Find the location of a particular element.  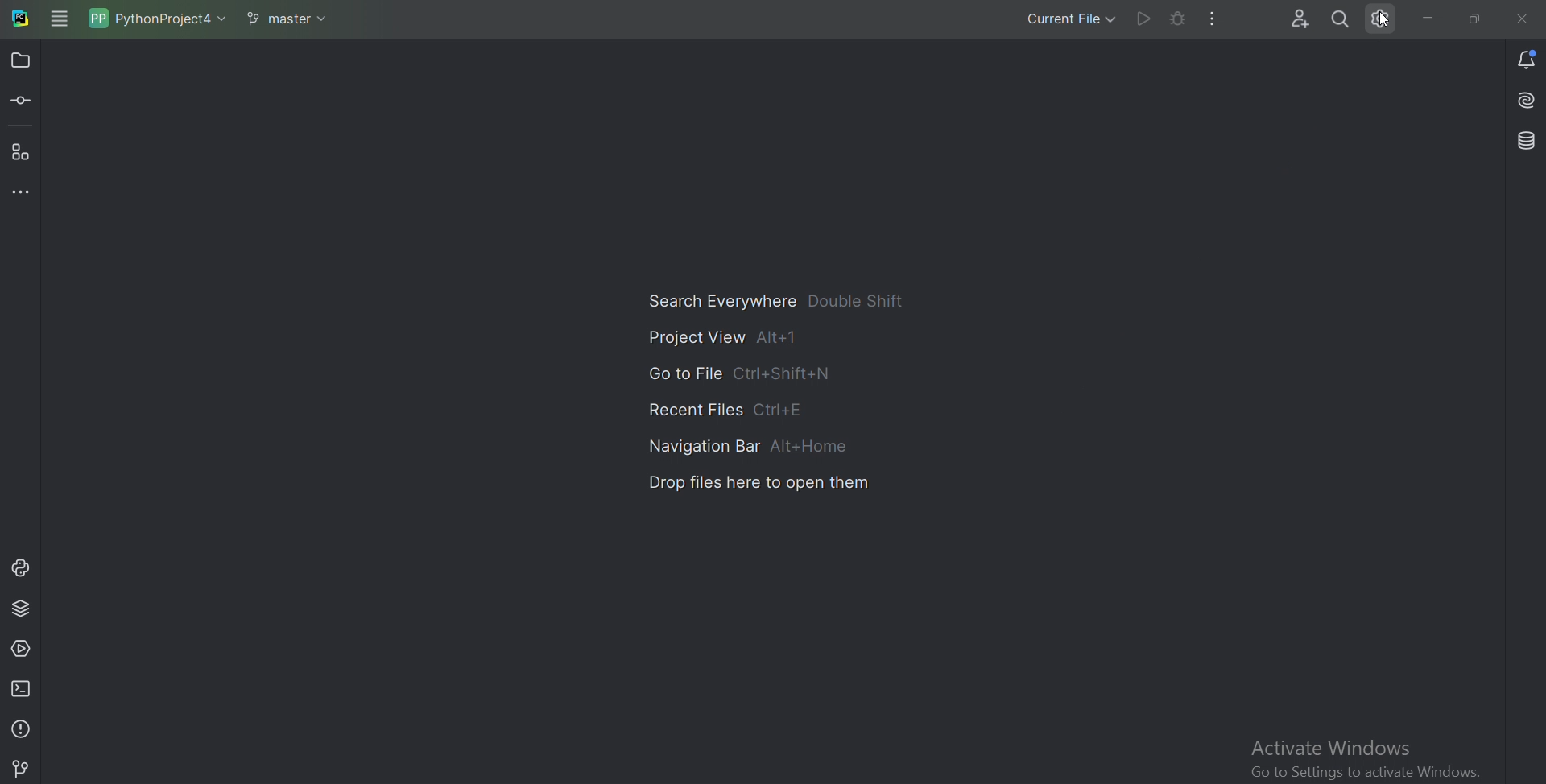

Settings is located at coordinates (1387, 21).